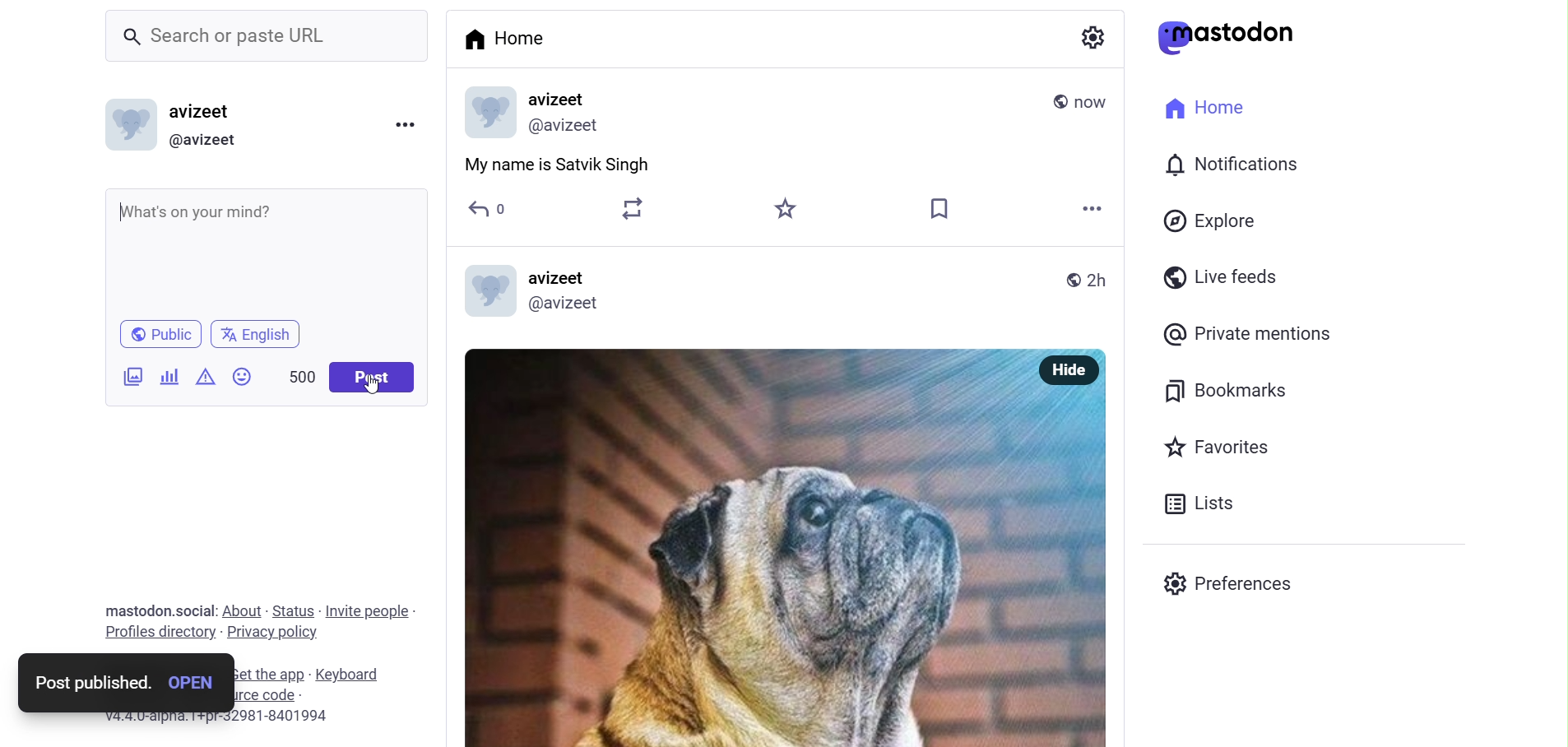  What do you see at coordinates (1093, 102) in the screenshot?
I see `date modified` at bounding box center [1093, 102].